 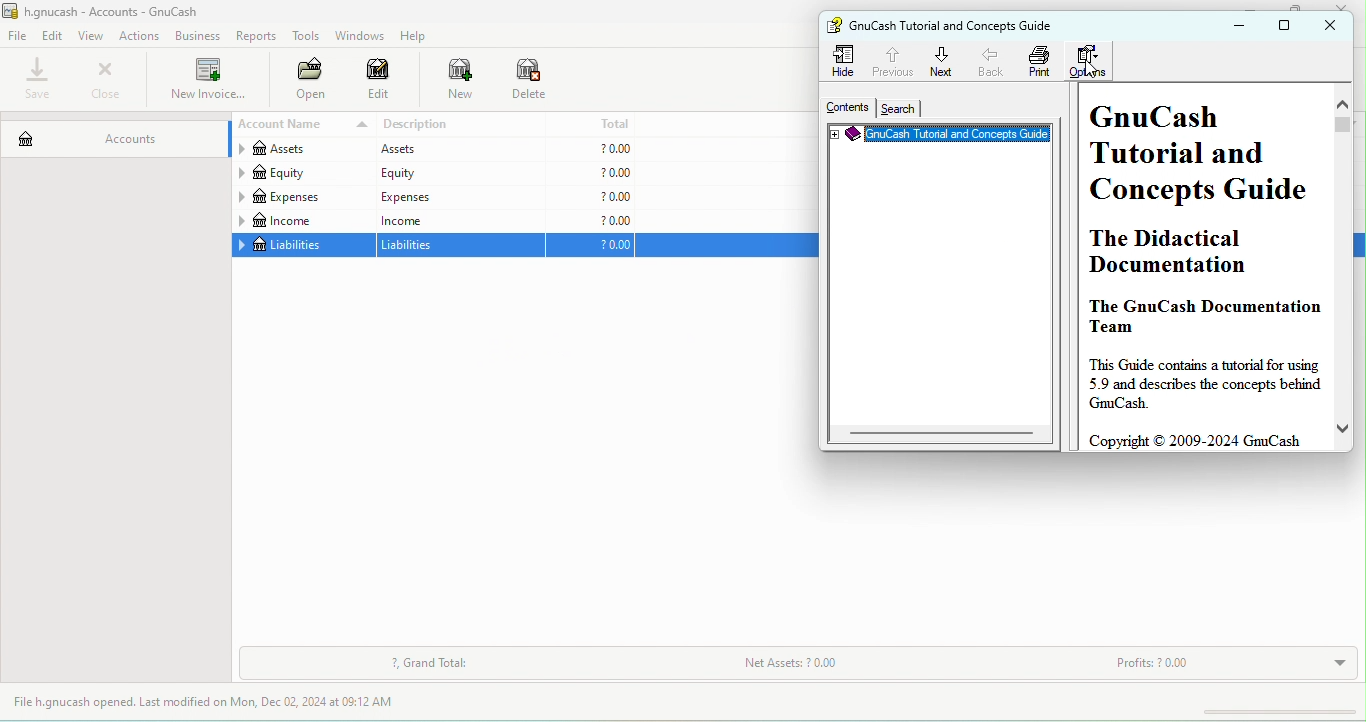 What do you see at coordinates (462, 246) in the screenshot?
I see `liabilities` at bounding box center [462, 246].